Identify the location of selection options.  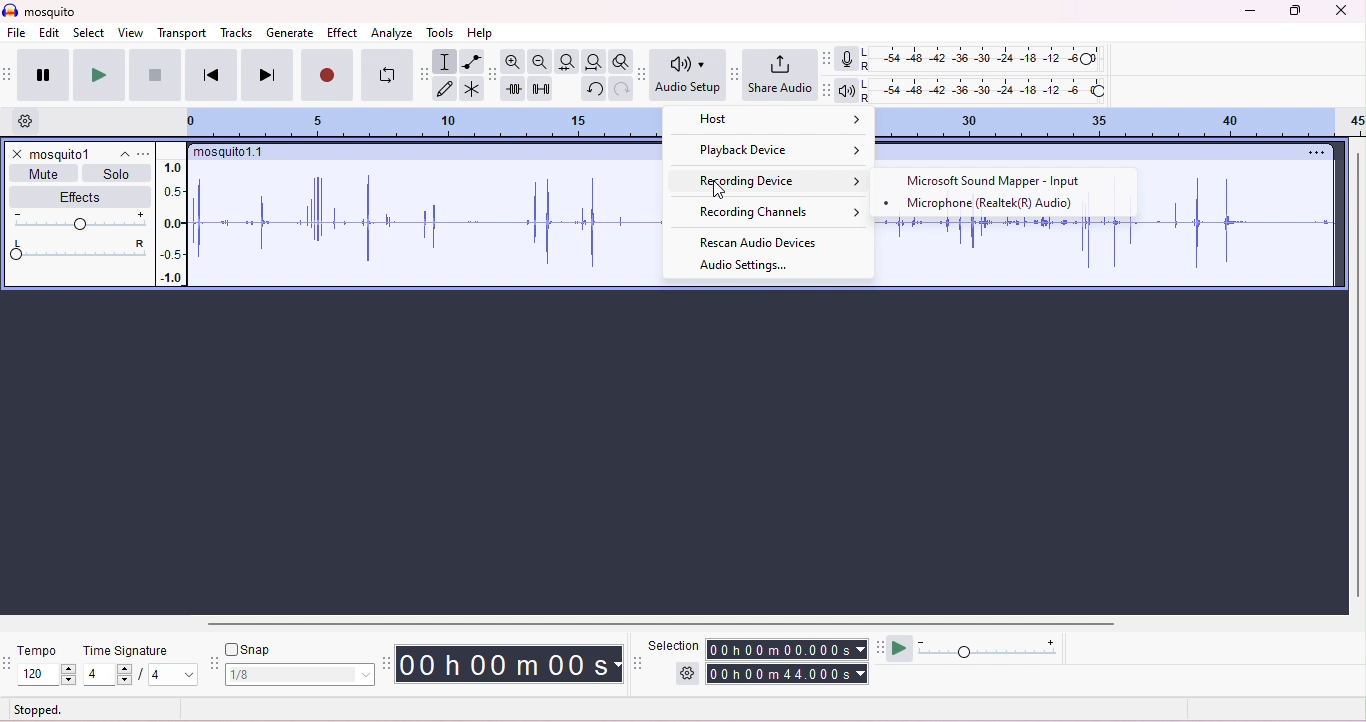
(688, 672).